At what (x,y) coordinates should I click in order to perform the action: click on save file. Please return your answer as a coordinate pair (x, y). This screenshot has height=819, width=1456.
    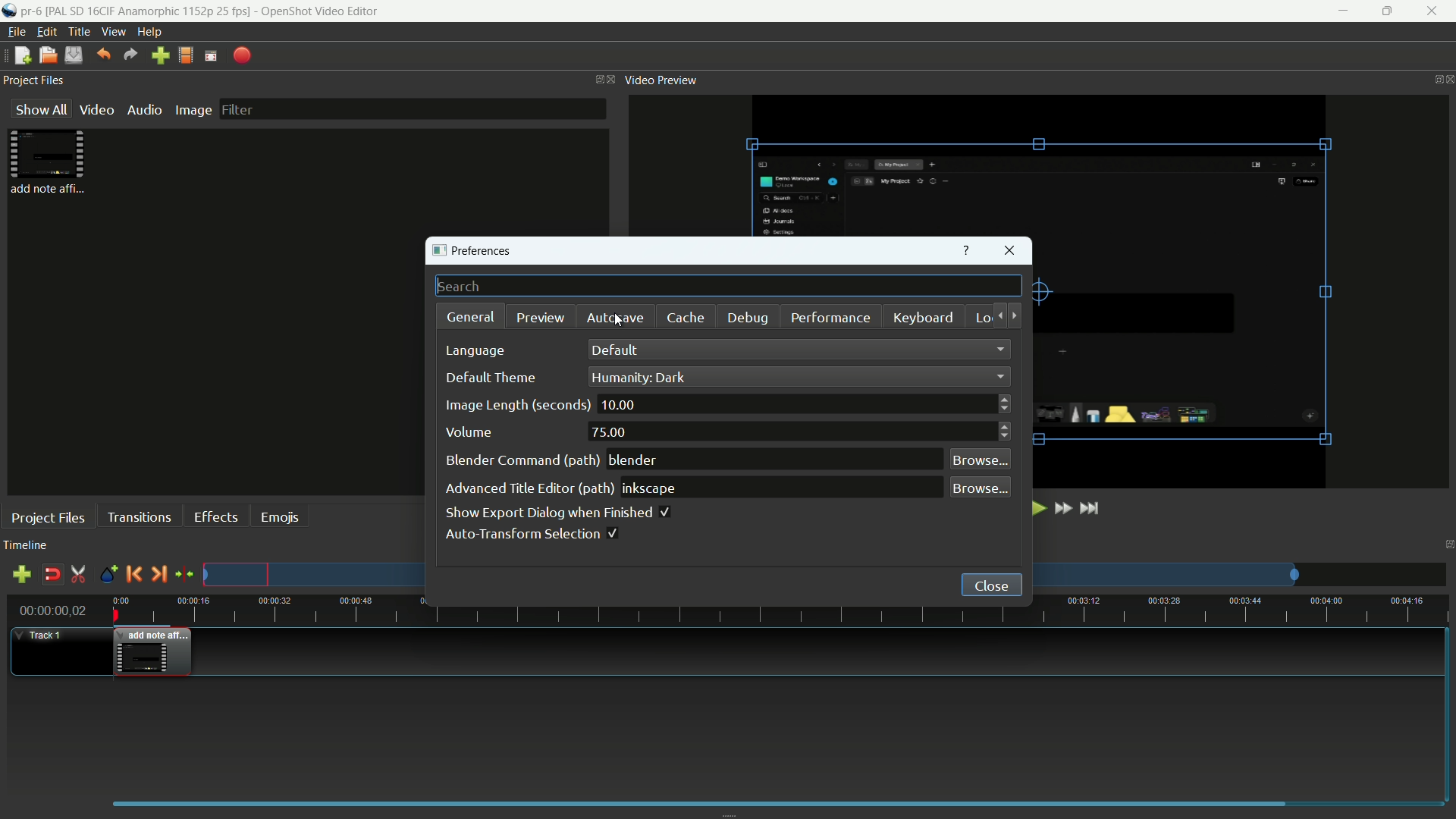
    Looking at the image, I should click on (74, 55).